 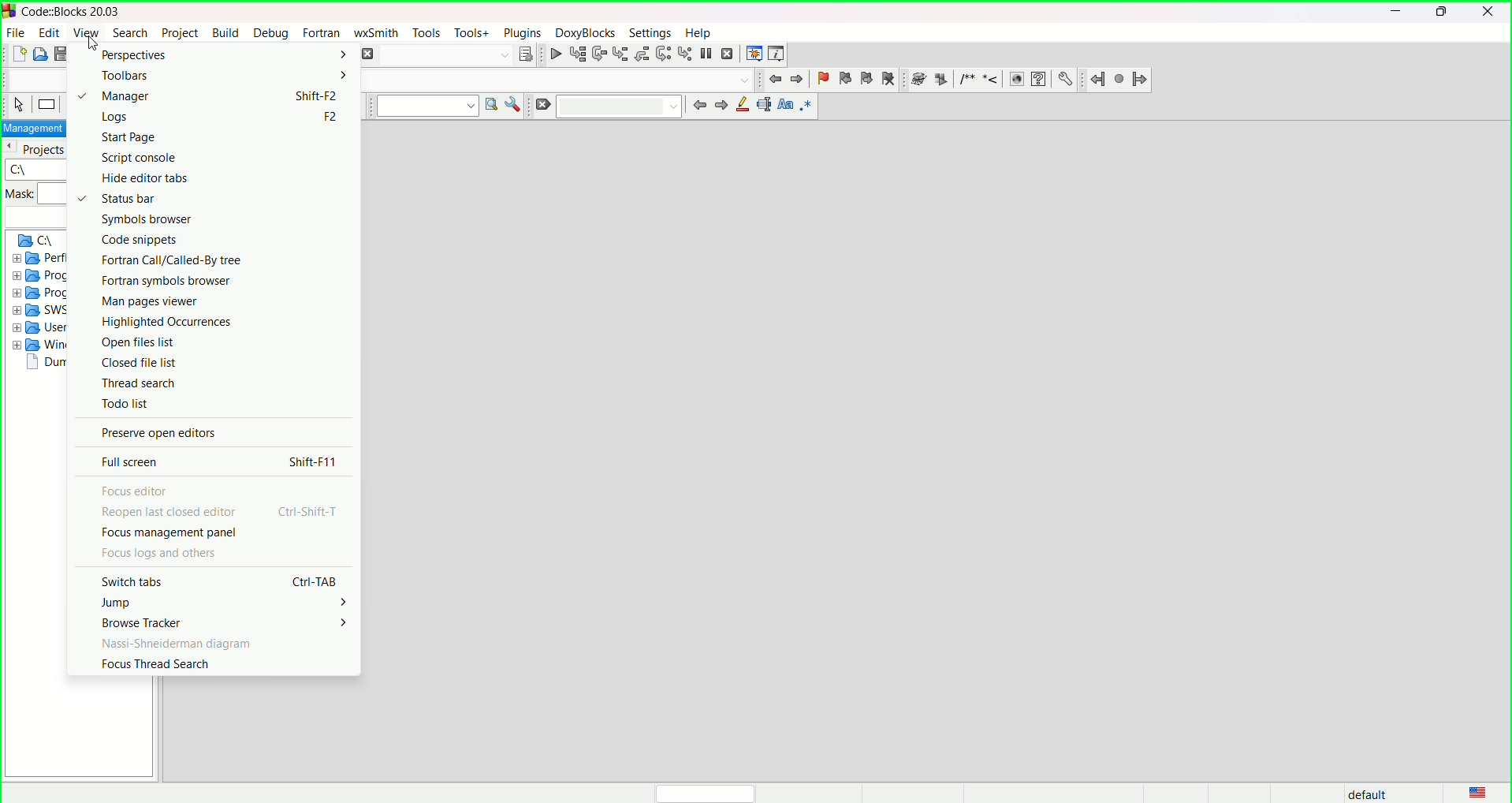 I want to click on Doxyblocks, so click(x=583, y=32).